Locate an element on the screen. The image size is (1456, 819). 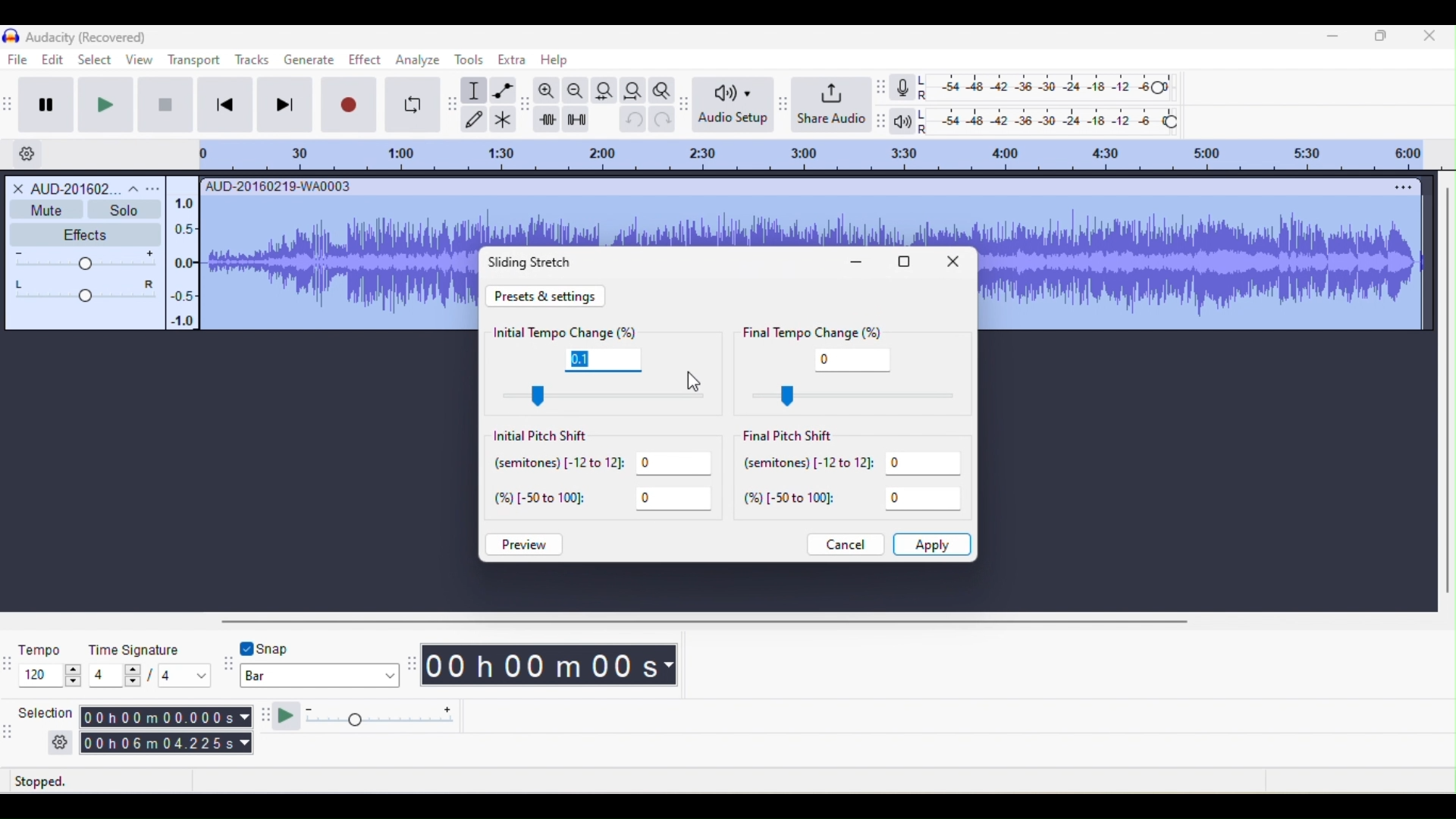
view is located at coordinates (138, 60).